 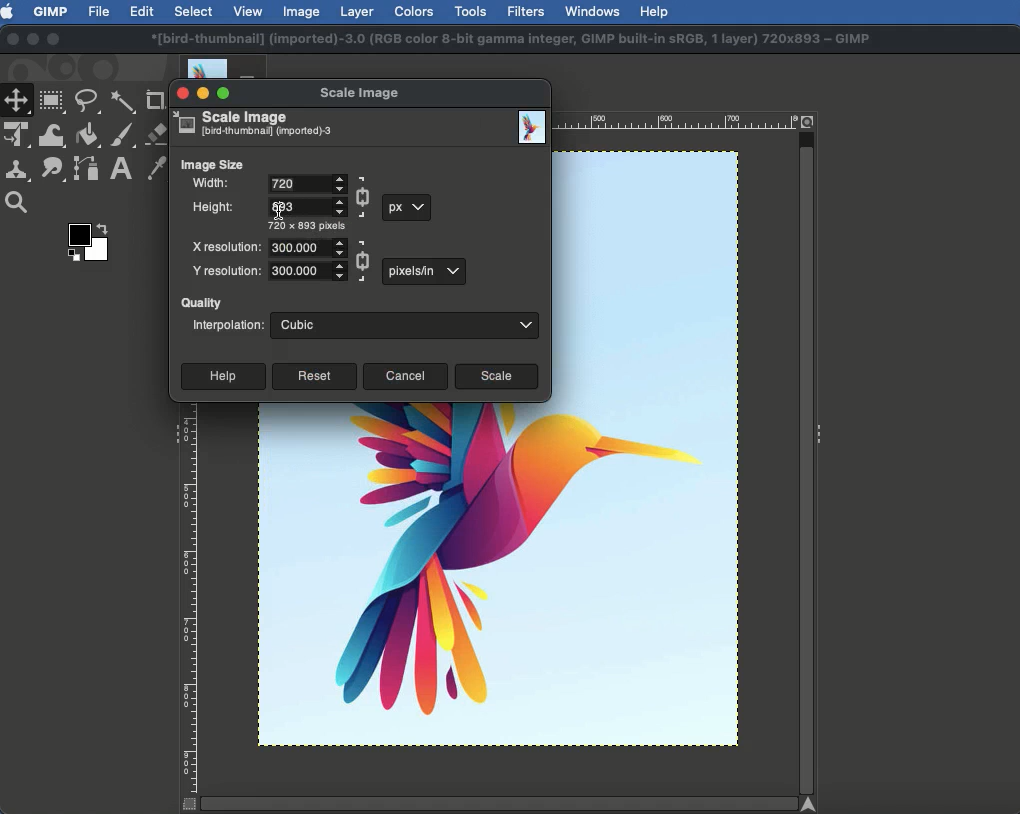 I want to click on Smudge tool, so click(x=54, y=171).